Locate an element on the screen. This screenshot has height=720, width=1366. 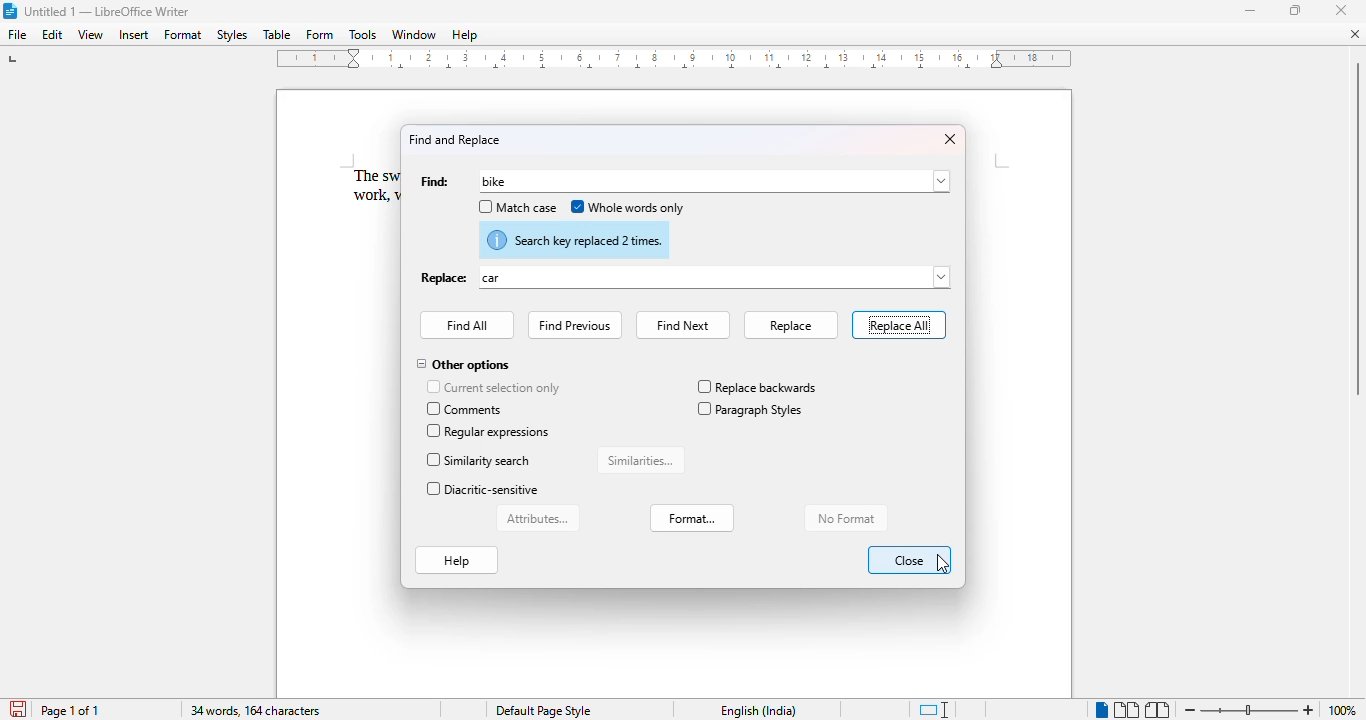
Change zoom levele is located at coordinates (1248, 711).